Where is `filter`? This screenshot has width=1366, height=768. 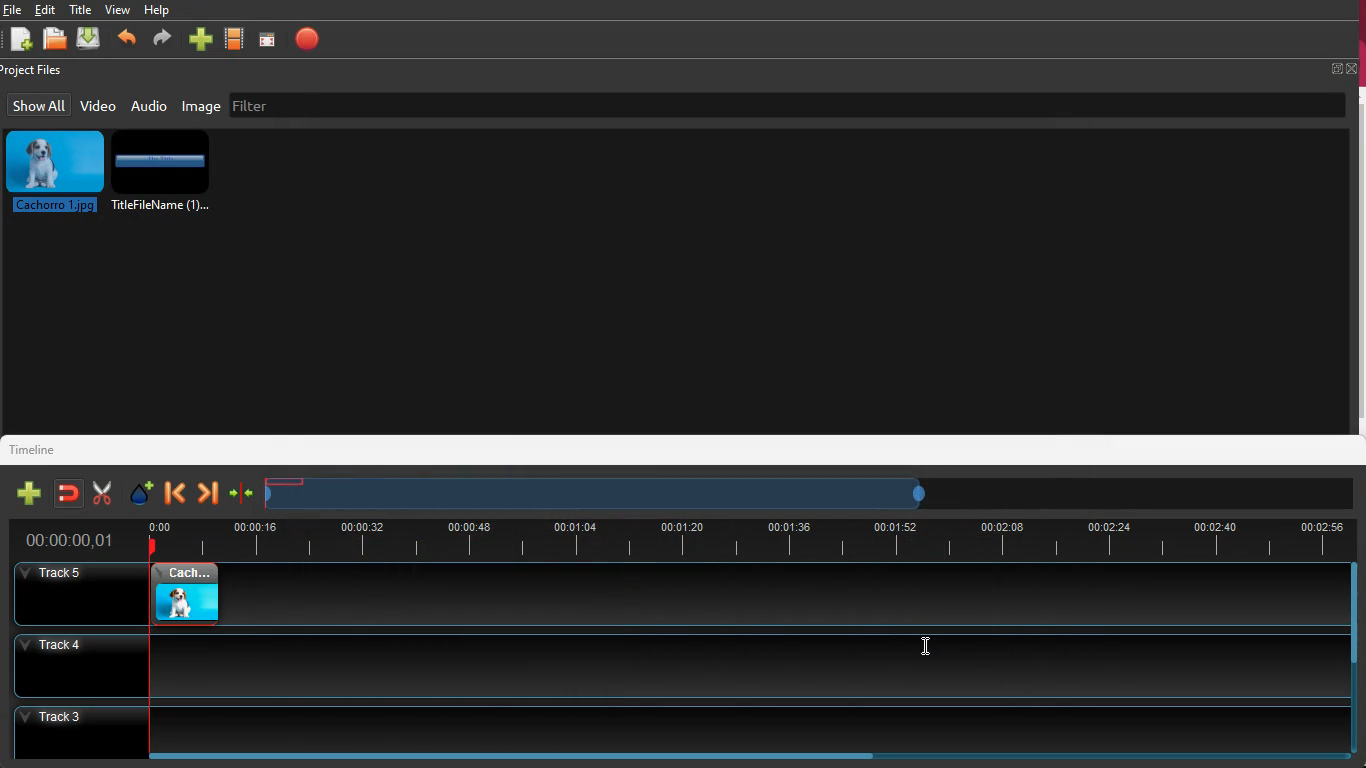
filter is located at coordinates (359, 103).